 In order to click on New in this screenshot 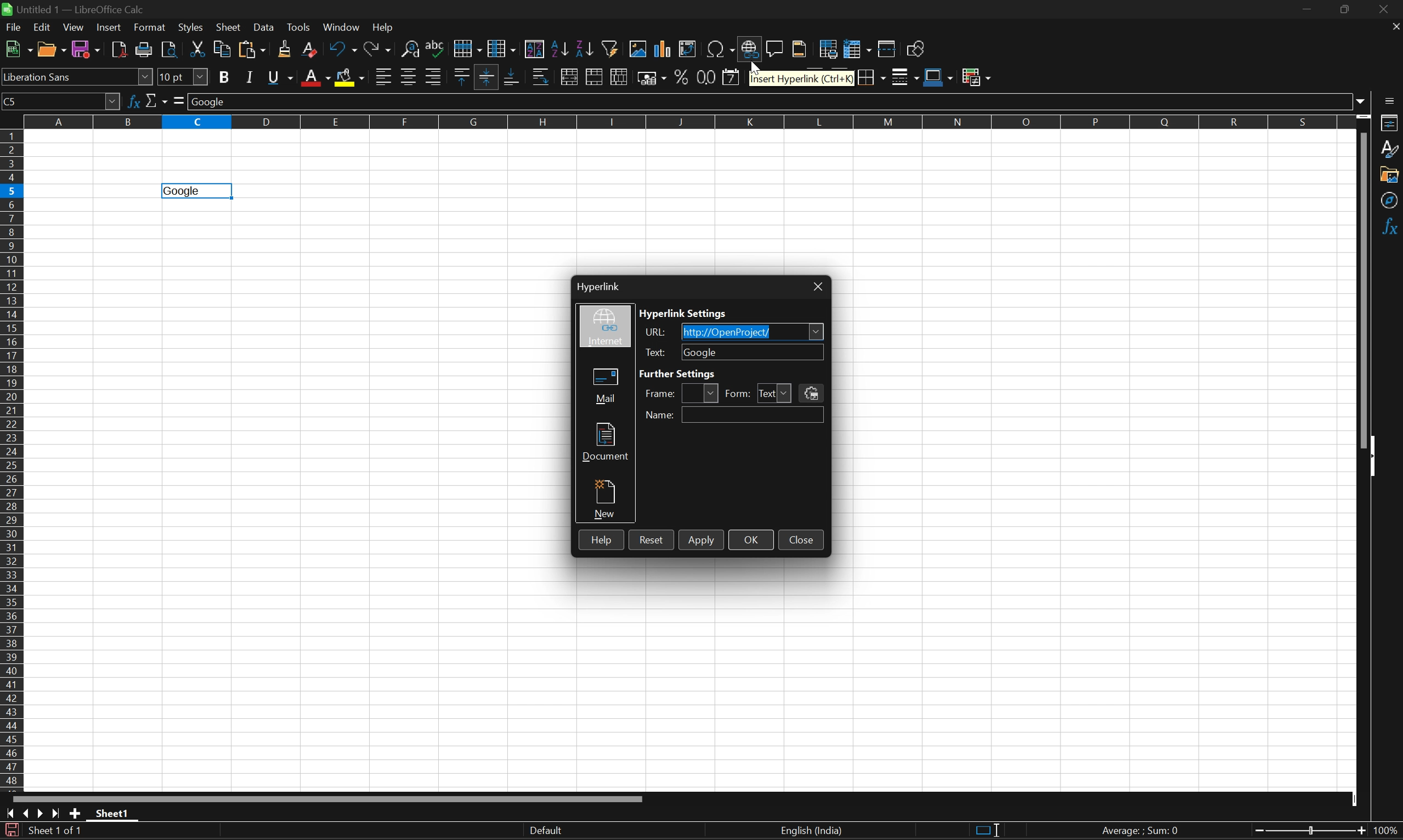, I will do `click(606, 499)`.